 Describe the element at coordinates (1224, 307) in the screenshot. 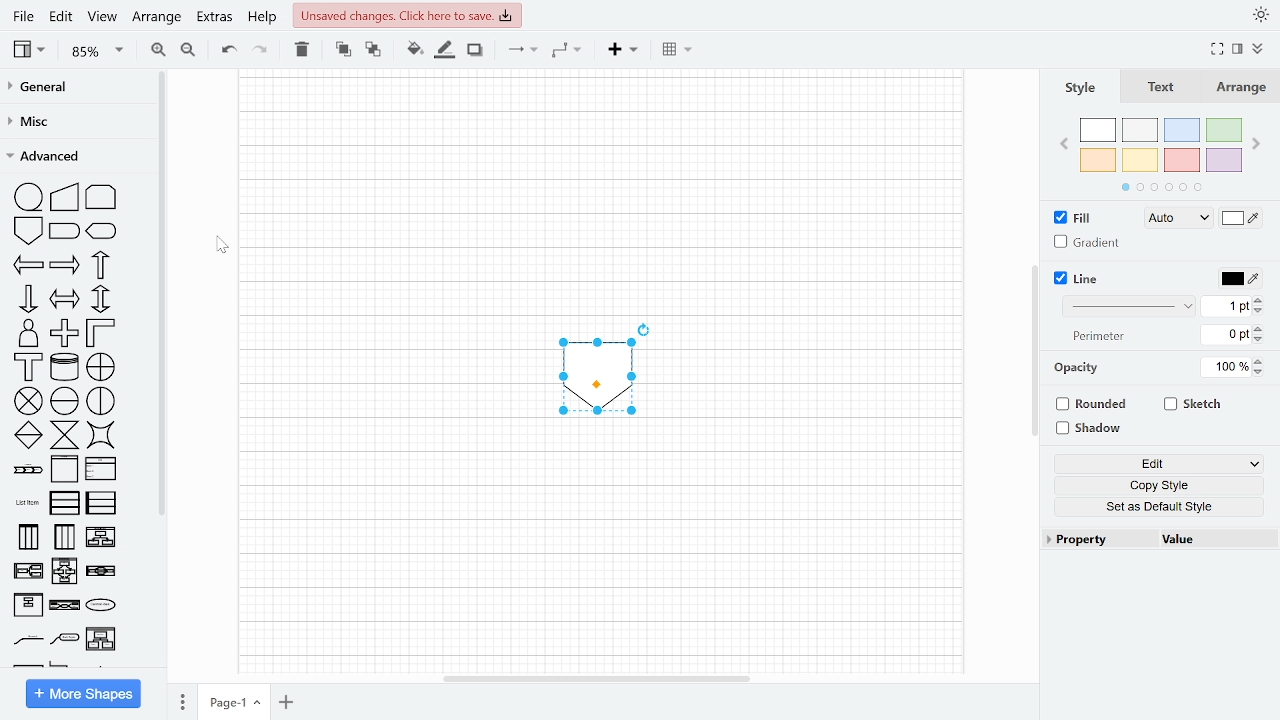

I see `Line width` at that location.